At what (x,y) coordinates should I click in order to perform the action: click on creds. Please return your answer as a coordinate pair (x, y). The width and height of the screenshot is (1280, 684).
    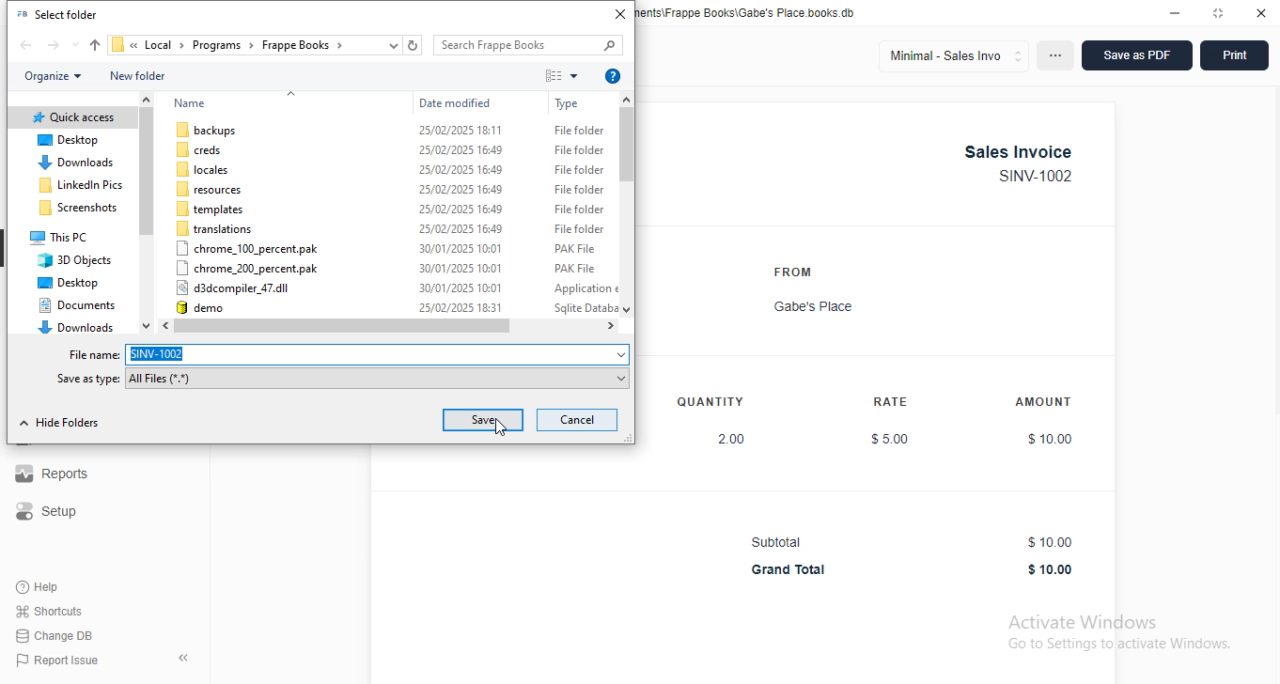
    Looking at the image, I should click on (197, 149).